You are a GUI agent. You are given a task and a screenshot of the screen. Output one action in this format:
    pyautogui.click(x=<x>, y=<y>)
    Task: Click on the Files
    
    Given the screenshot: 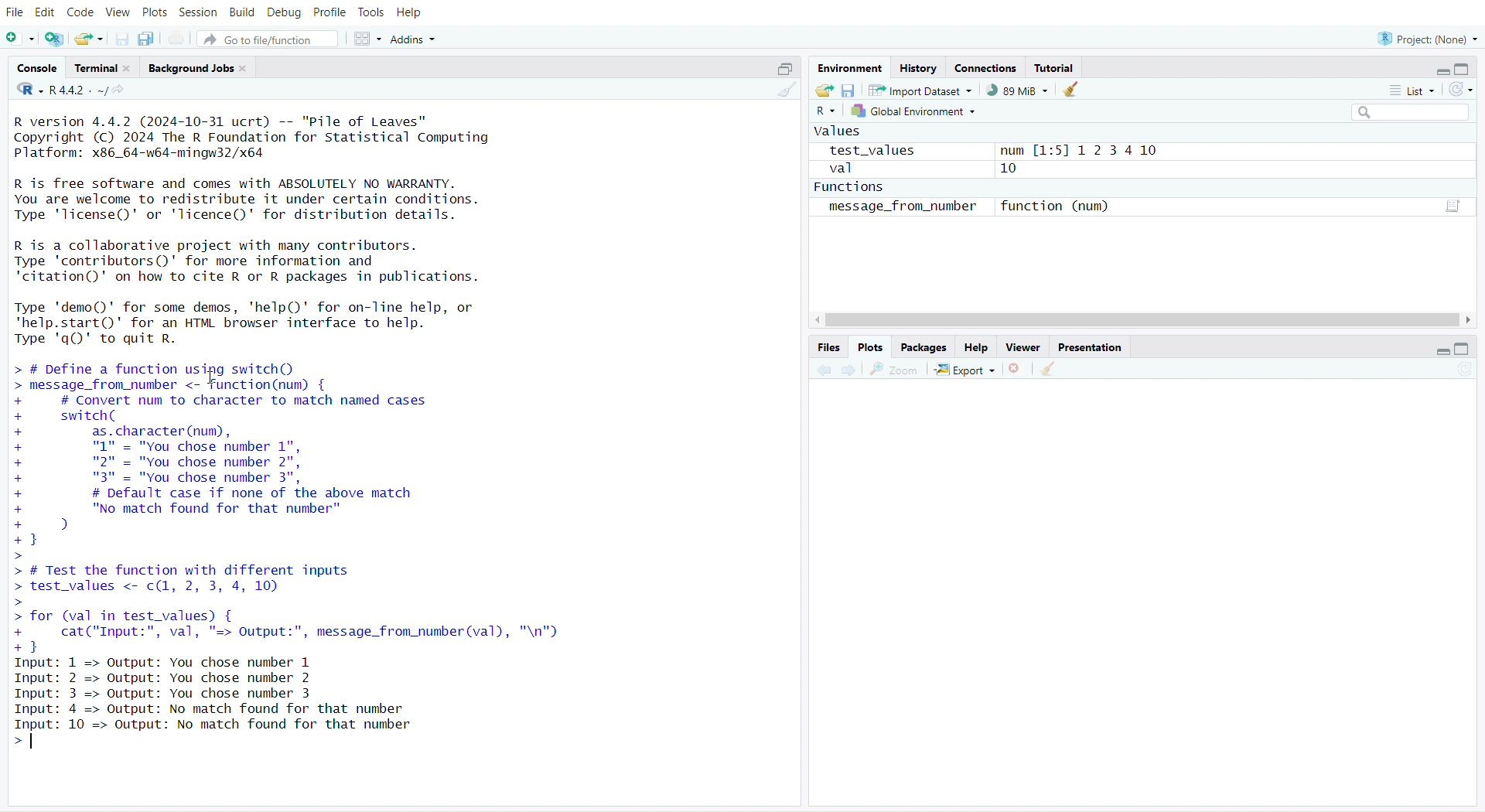 What is the action you would take?
    pyautogui.click(x=828, y=346)
    